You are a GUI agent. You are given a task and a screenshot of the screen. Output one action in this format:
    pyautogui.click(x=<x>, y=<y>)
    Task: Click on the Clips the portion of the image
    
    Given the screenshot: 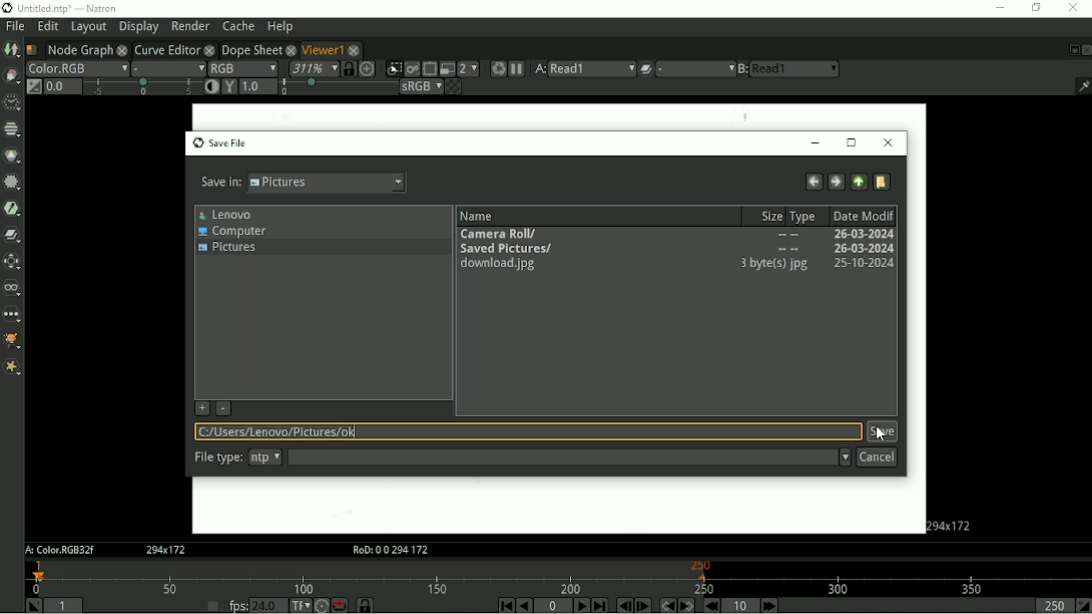 What is the action you would take?
    pyautogui.click(x=393, y=69)
    